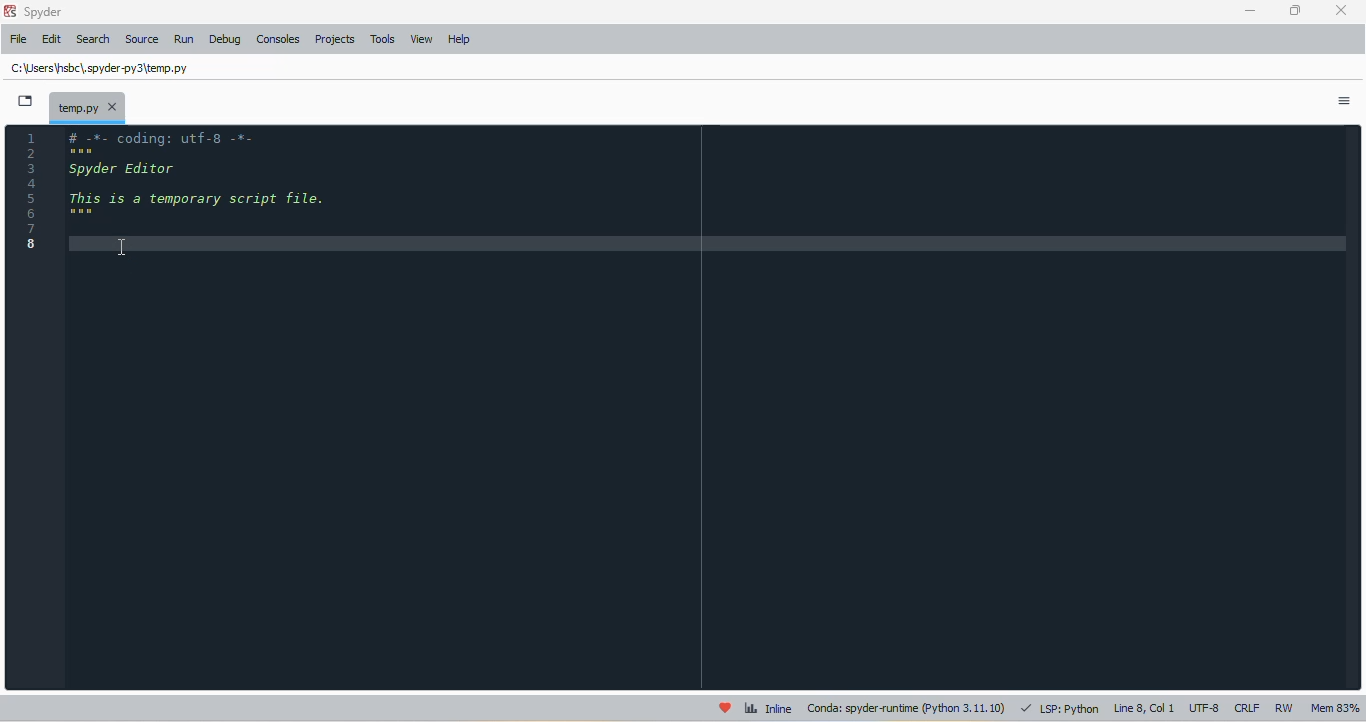 The width and height of the screenshot is (1366, 722). Describe the element at coordinates (908, 708) in the screenshot. I see `conda: spyder-runtime (python 3. 11. 10)` at that location.